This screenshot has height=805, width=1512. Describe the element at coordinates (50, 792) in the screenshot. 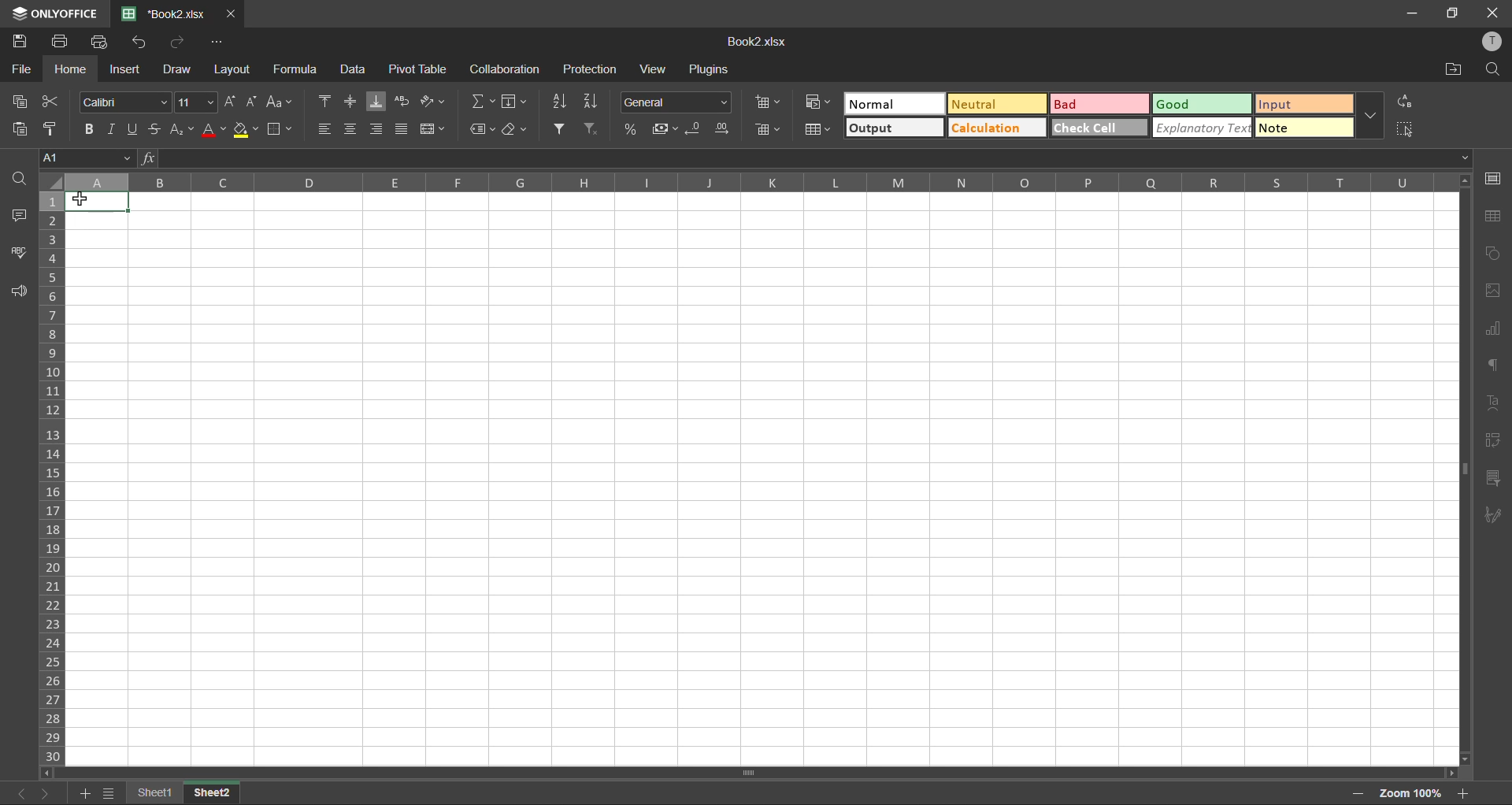

I see `next` at that location.